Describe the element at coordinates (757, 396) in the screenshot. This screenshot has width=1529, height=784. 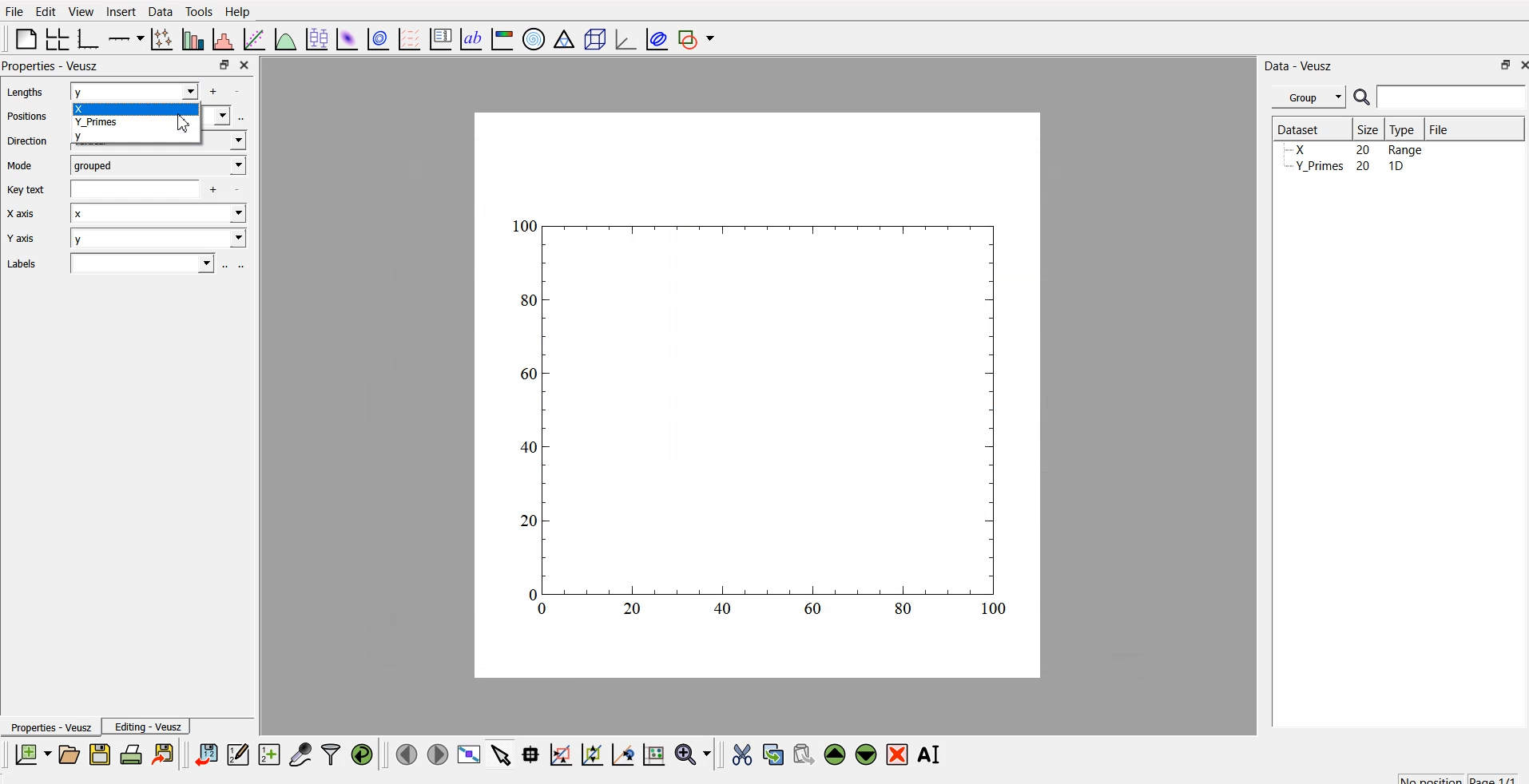
I see `canvas` at that location.